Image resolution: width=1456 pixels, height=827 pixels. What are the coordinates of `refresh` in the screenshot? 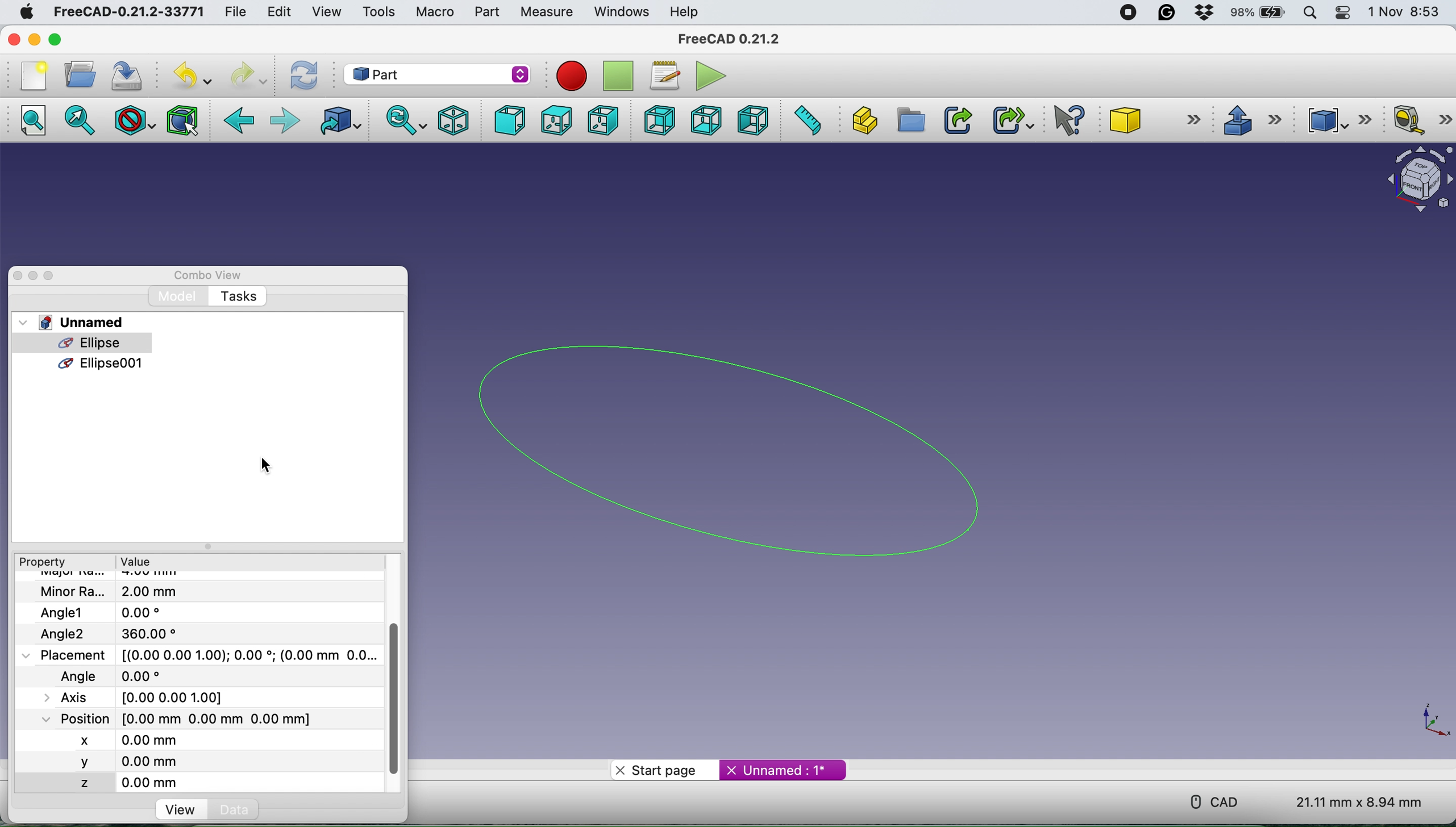 It's located at (303, 76).